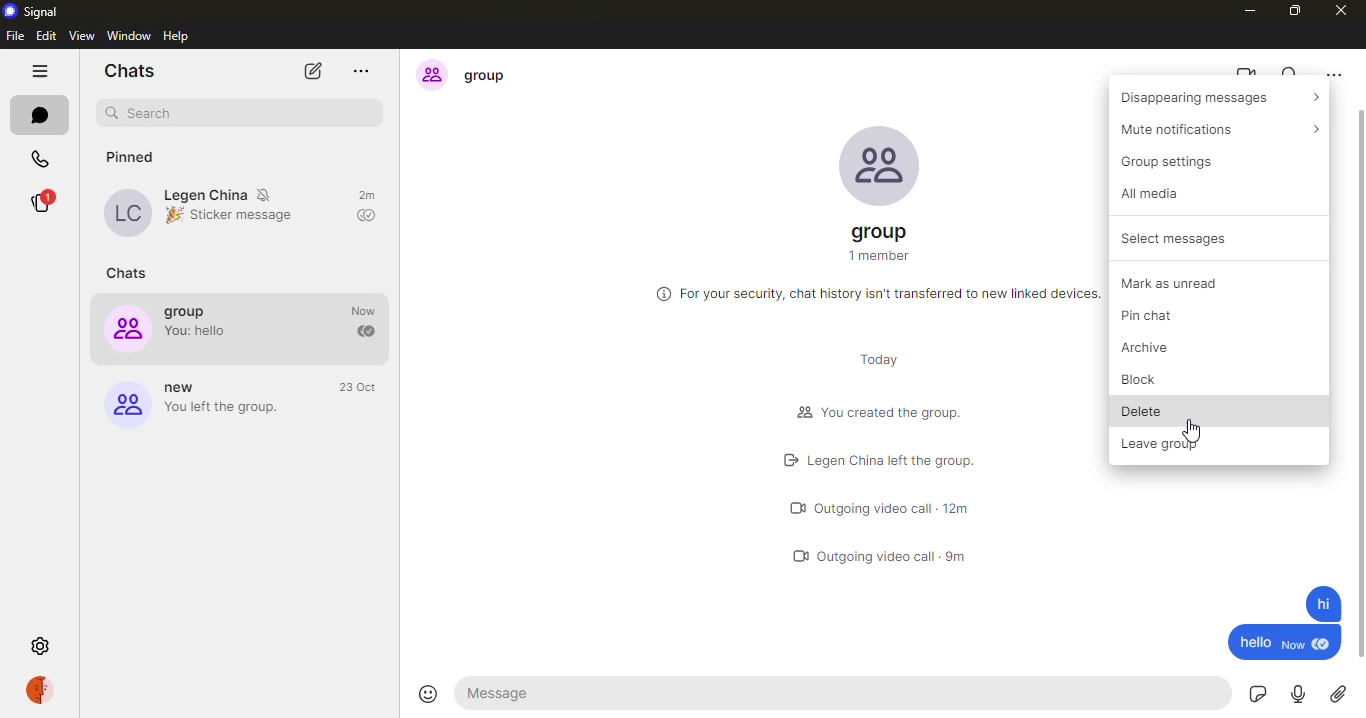  Describe the element at coordinates (173, 216) in the screenshot. I see `emoji` at that location.